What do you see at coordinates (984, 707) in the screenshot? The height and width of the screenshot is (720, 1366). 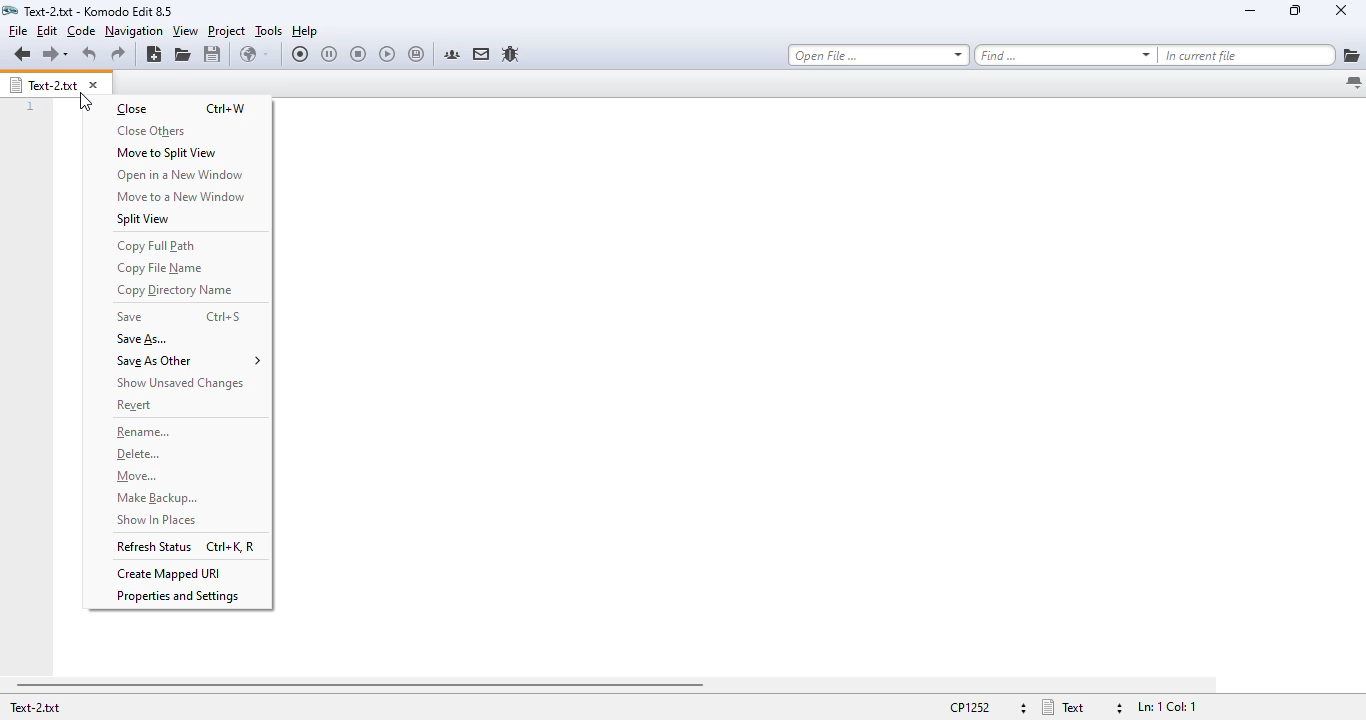 I see `file encoding` at bounding box center [984, 707].